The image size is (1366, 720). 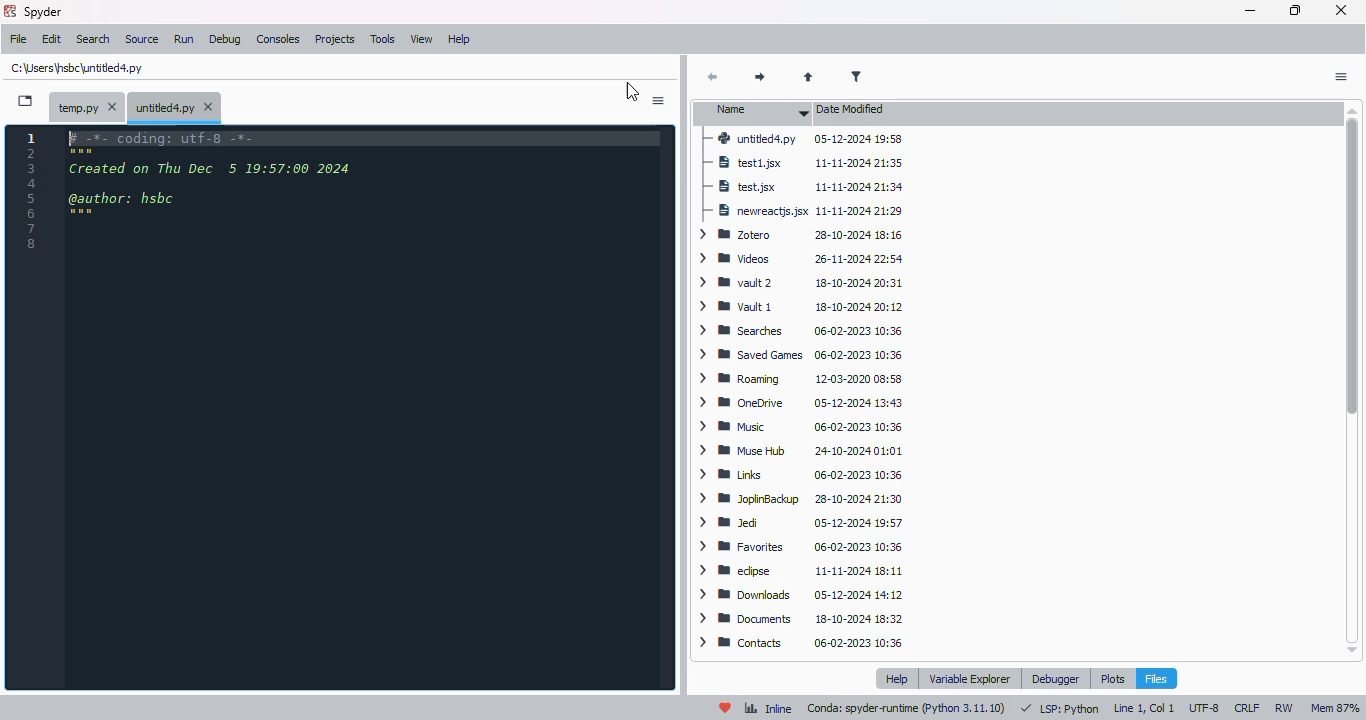 What do you see at coordinates (801, 598) in the screenshot?
I see `Favorites` at bounding box center [801, 598].